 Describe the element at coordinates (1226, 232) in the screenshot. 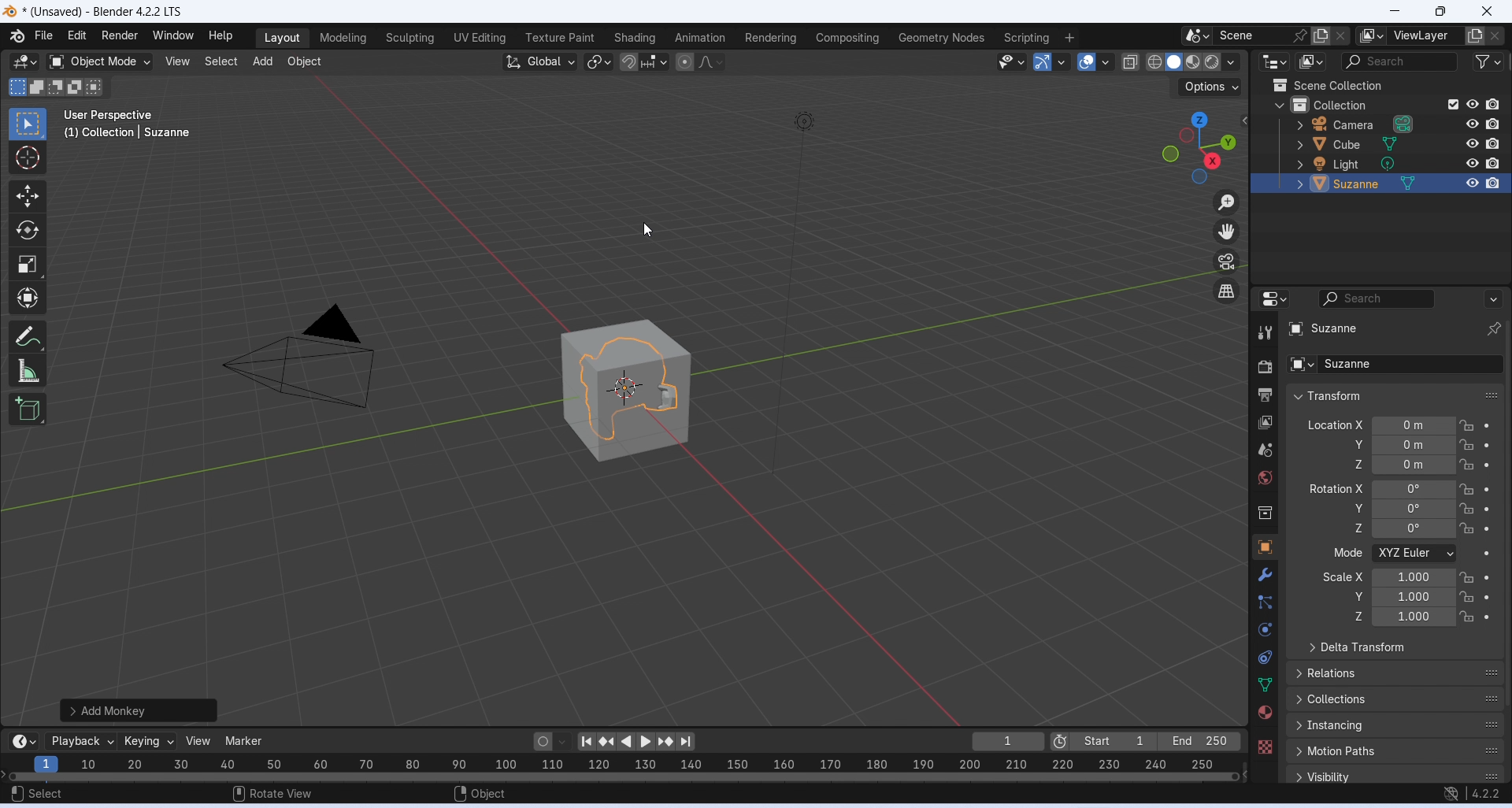

I see `Move the view` at that location.